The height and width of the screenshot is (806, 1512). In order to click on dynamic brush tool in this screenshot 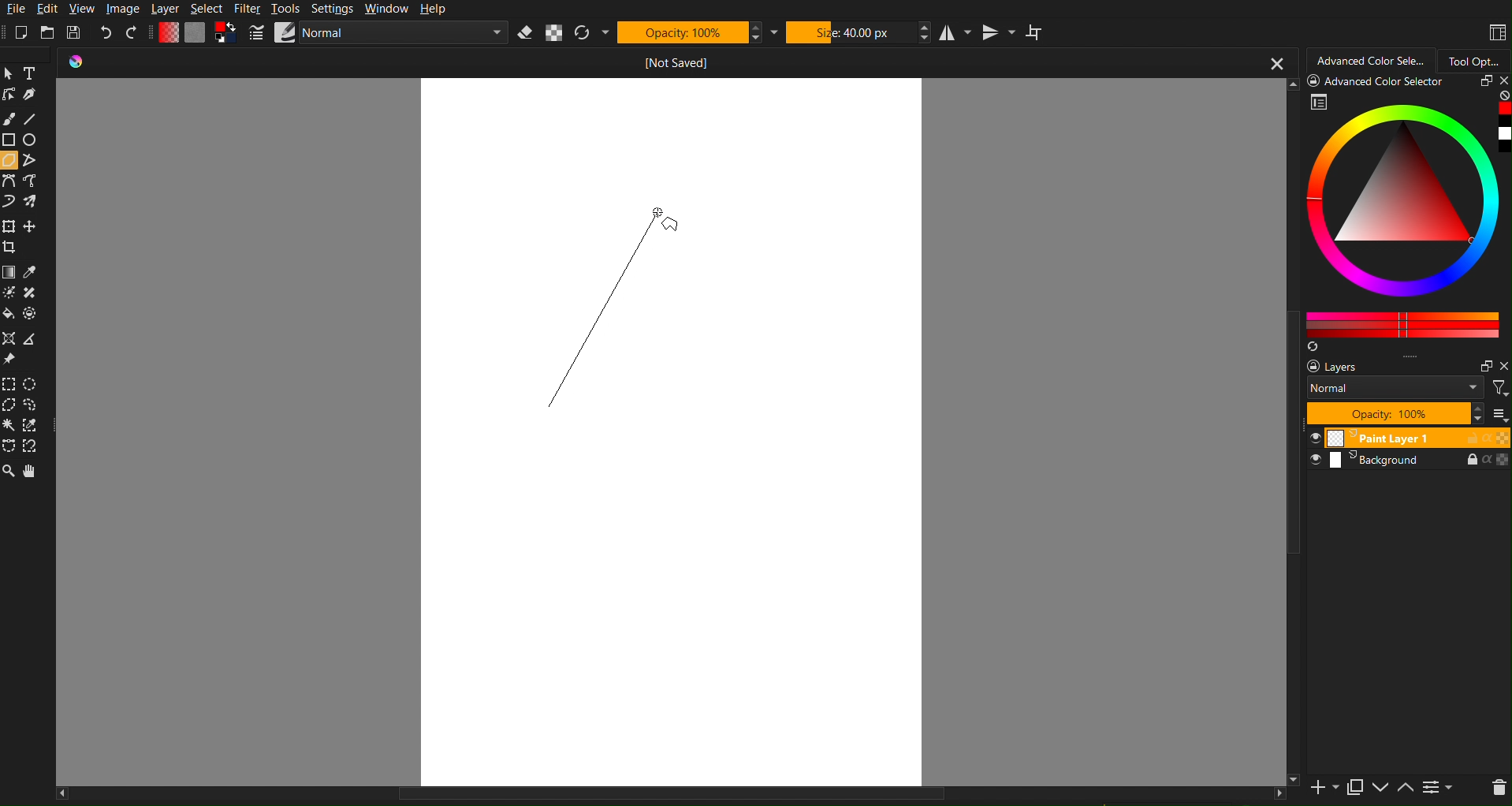, I will do `click(9, 203)`.